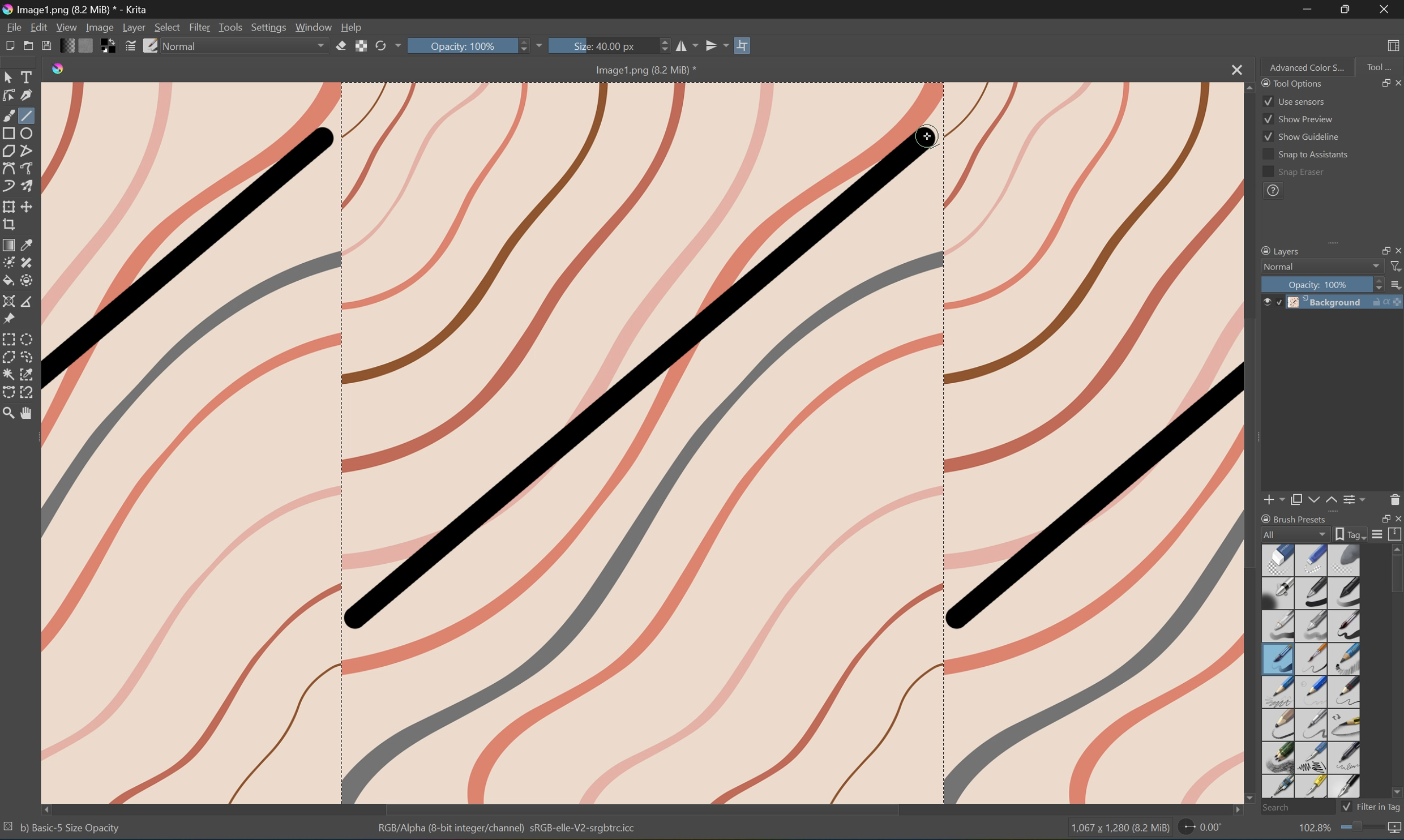  What do you see at coordinates (9, 320) in the screenshot?
I see `Reference images tool` at bounding box center [9, 320].